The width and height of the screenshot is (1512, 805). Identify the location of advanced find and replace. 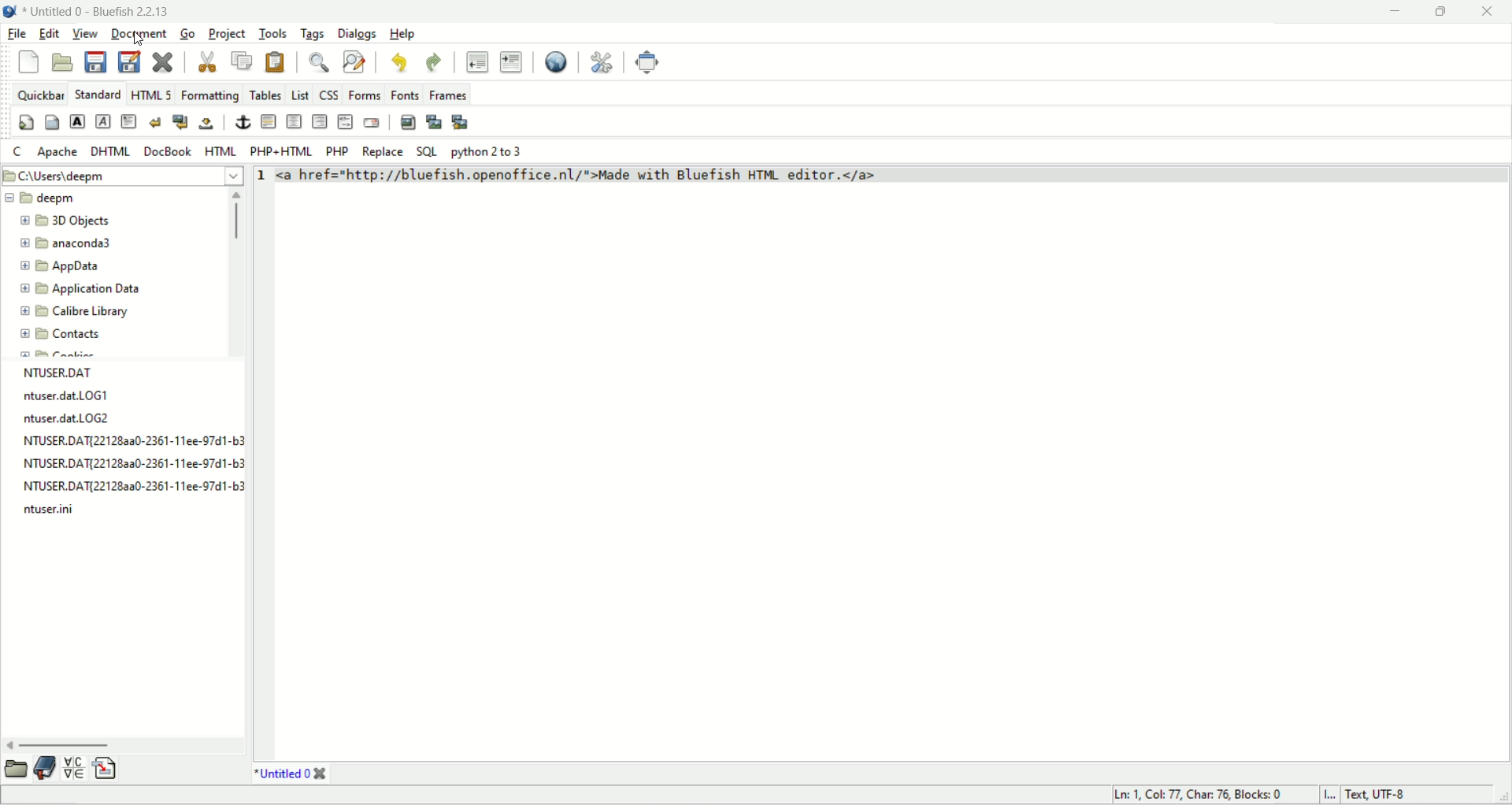
(357, 62).